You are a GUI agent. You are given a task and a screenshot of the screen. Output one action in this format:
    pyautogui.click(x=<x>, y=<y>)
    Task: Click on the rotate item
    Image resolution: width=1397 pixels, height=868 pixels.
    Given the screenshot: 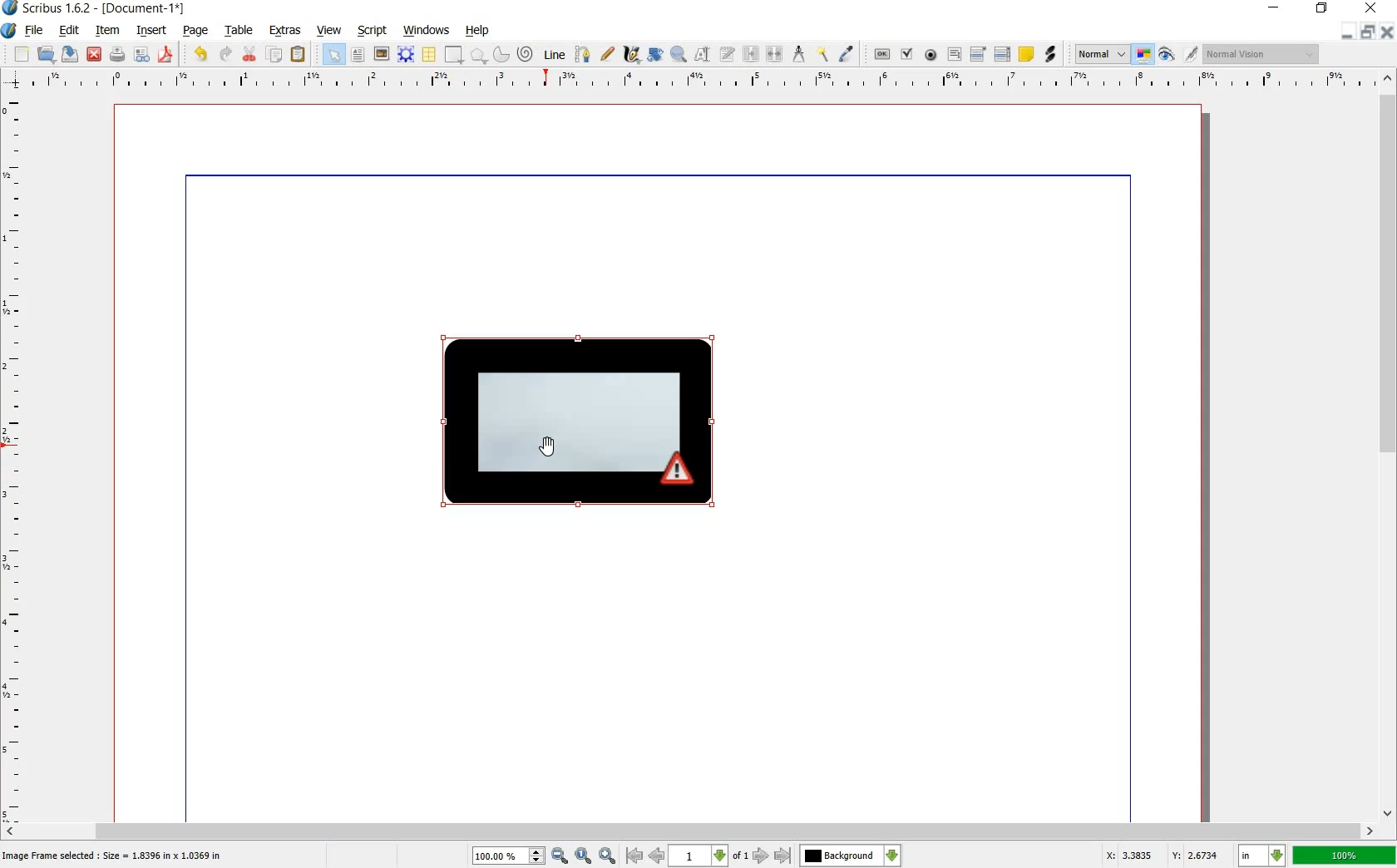 What is the action you would take?
    pyautogui.click(x=655, y=54)
    